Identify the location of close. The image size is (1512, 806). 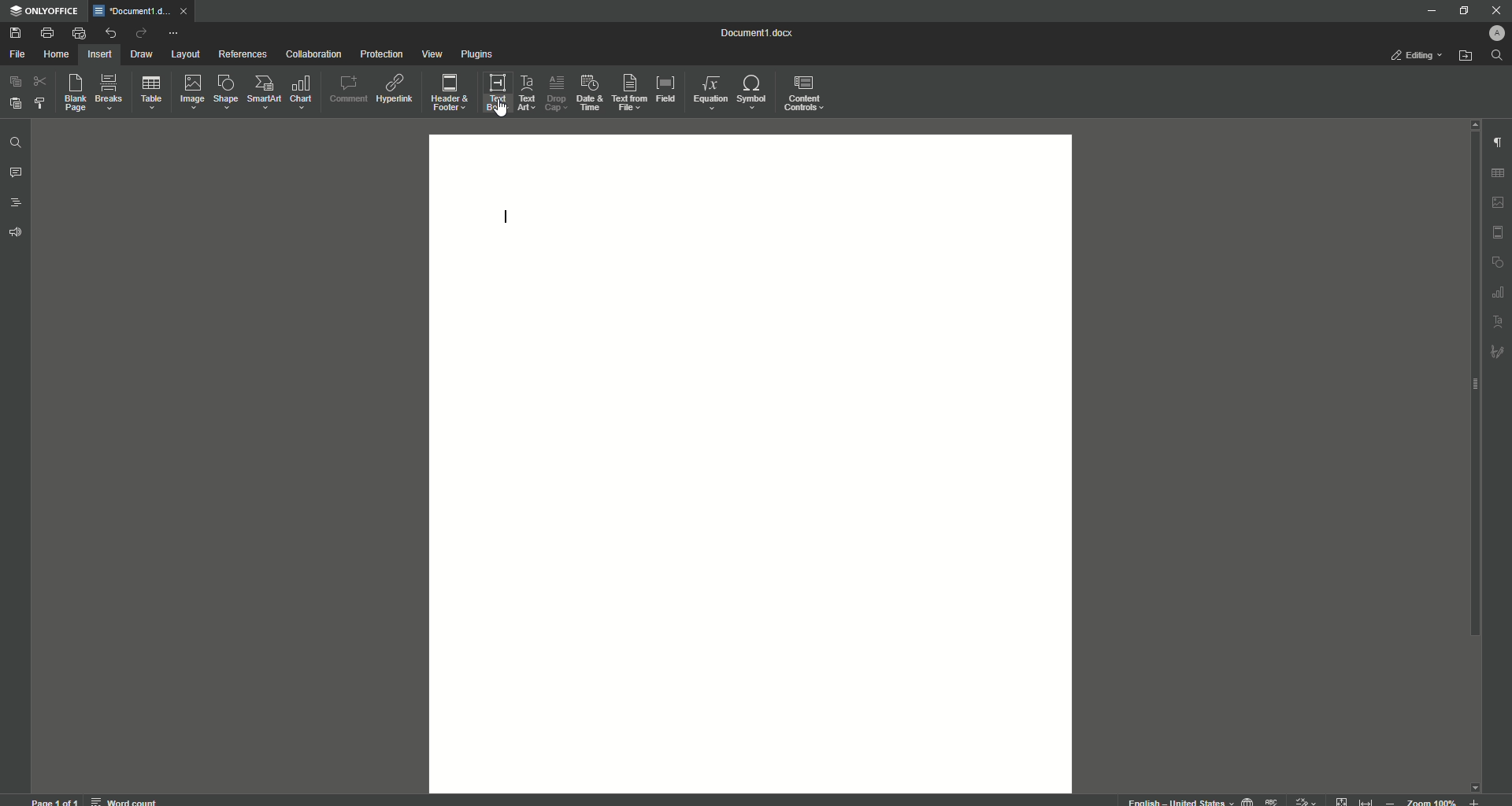
(187, 10).